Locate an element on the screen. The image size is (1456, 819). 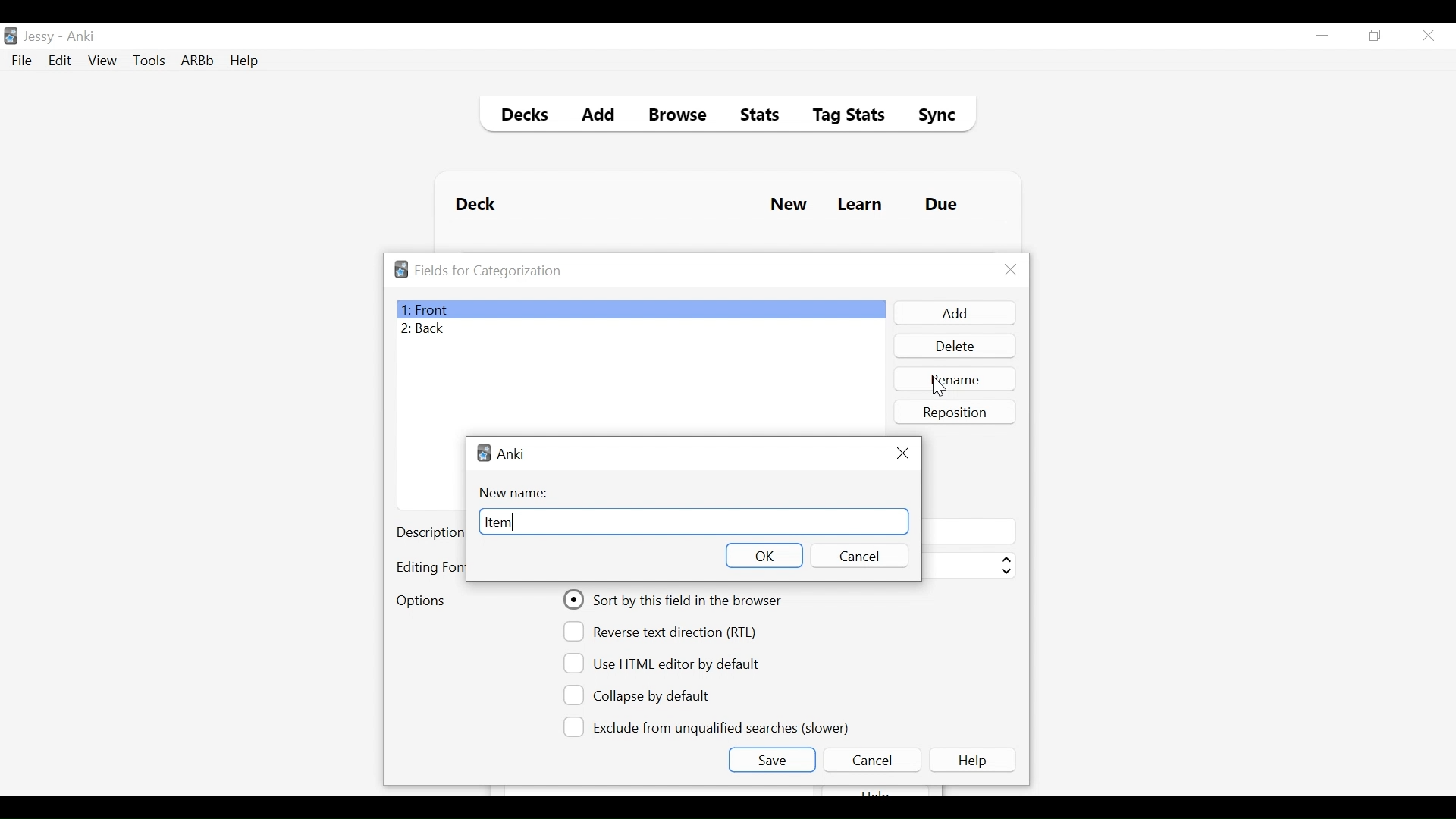
Text to Show inside the field when empty is located at coordinates (968, 531).